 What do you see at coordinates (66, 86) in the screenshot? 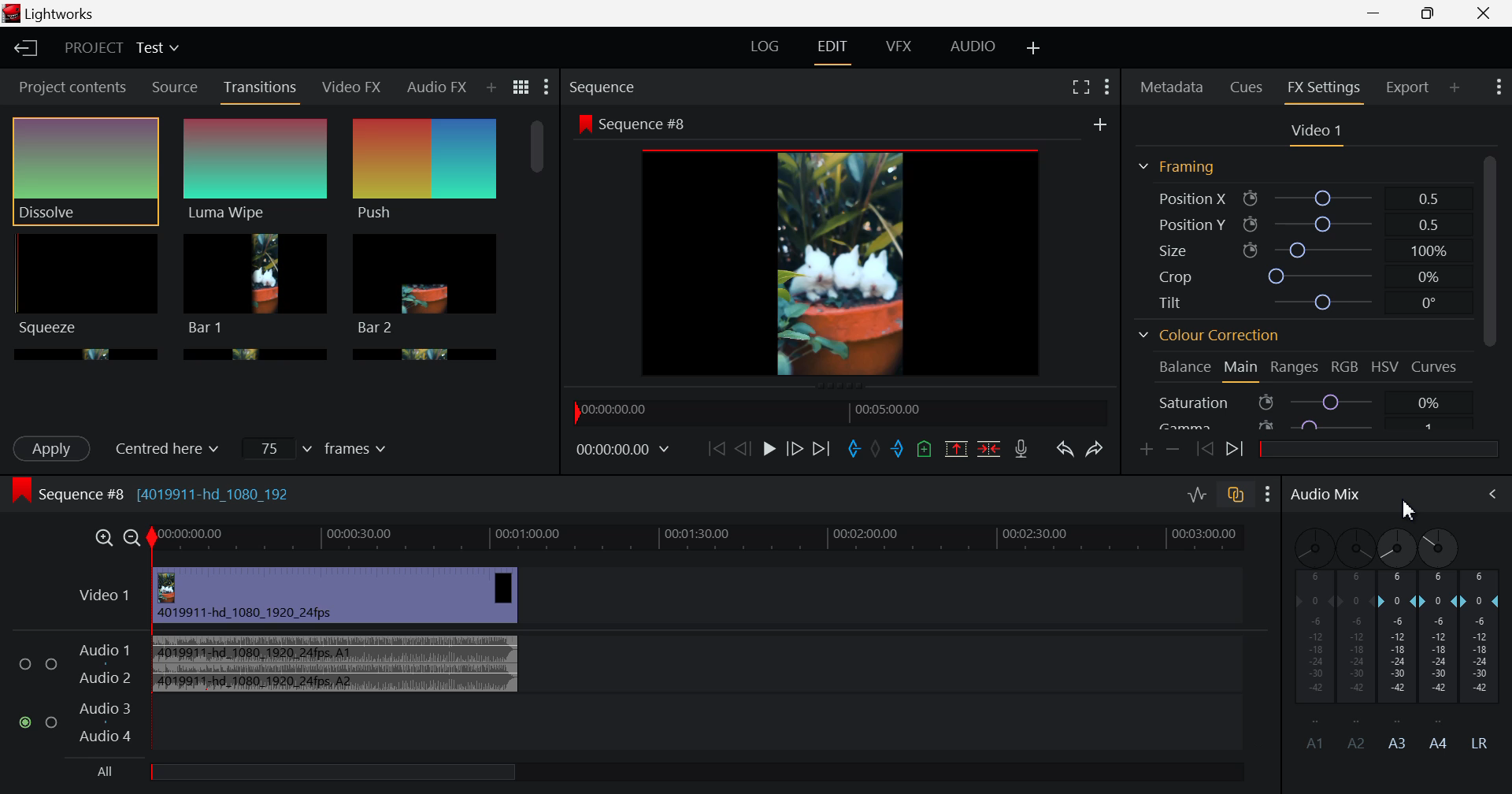
I see `Project contents` at bounding box center [66, 86].